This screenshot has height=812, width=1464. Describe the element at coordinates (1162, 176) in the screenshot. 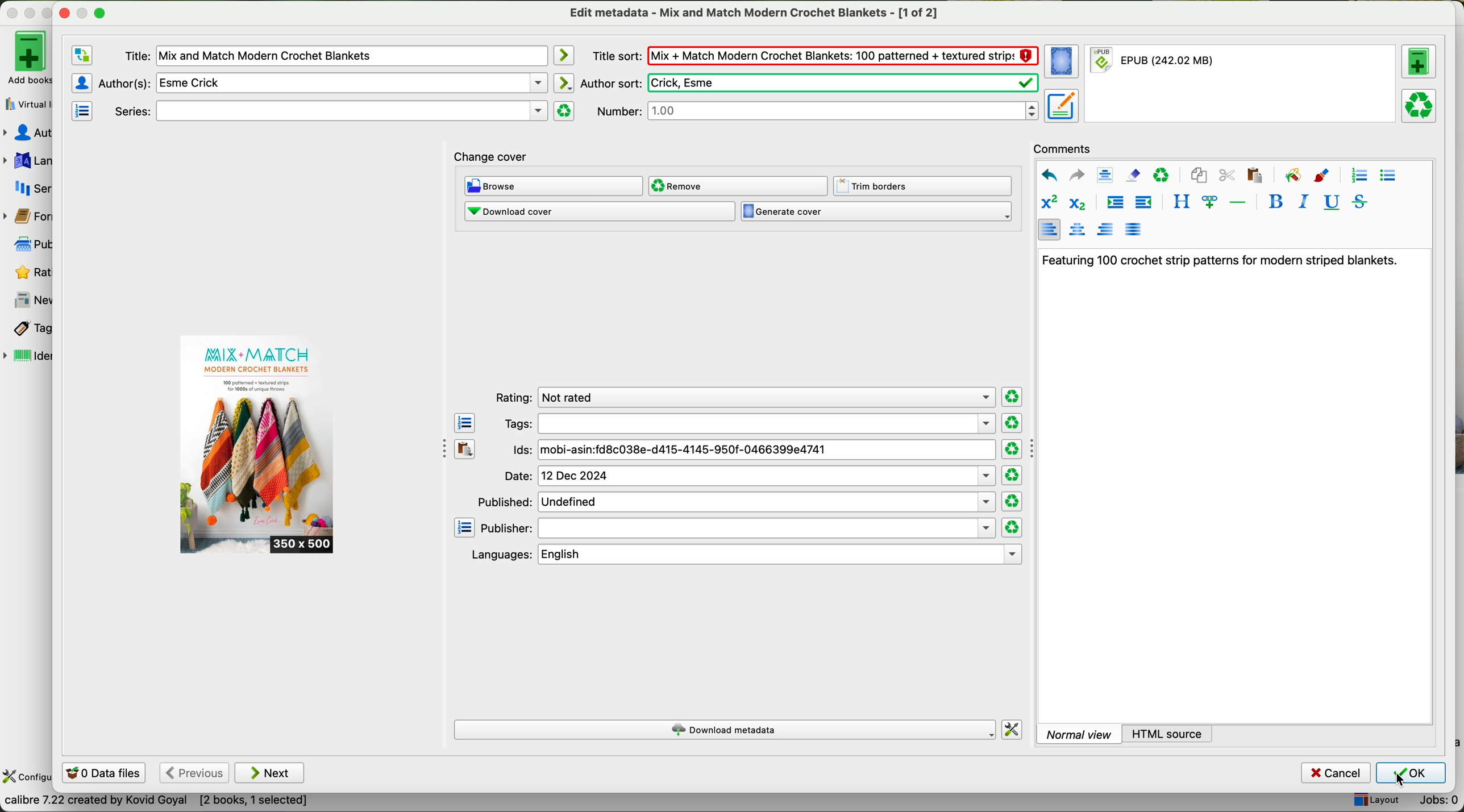

I see `clear` at that location.